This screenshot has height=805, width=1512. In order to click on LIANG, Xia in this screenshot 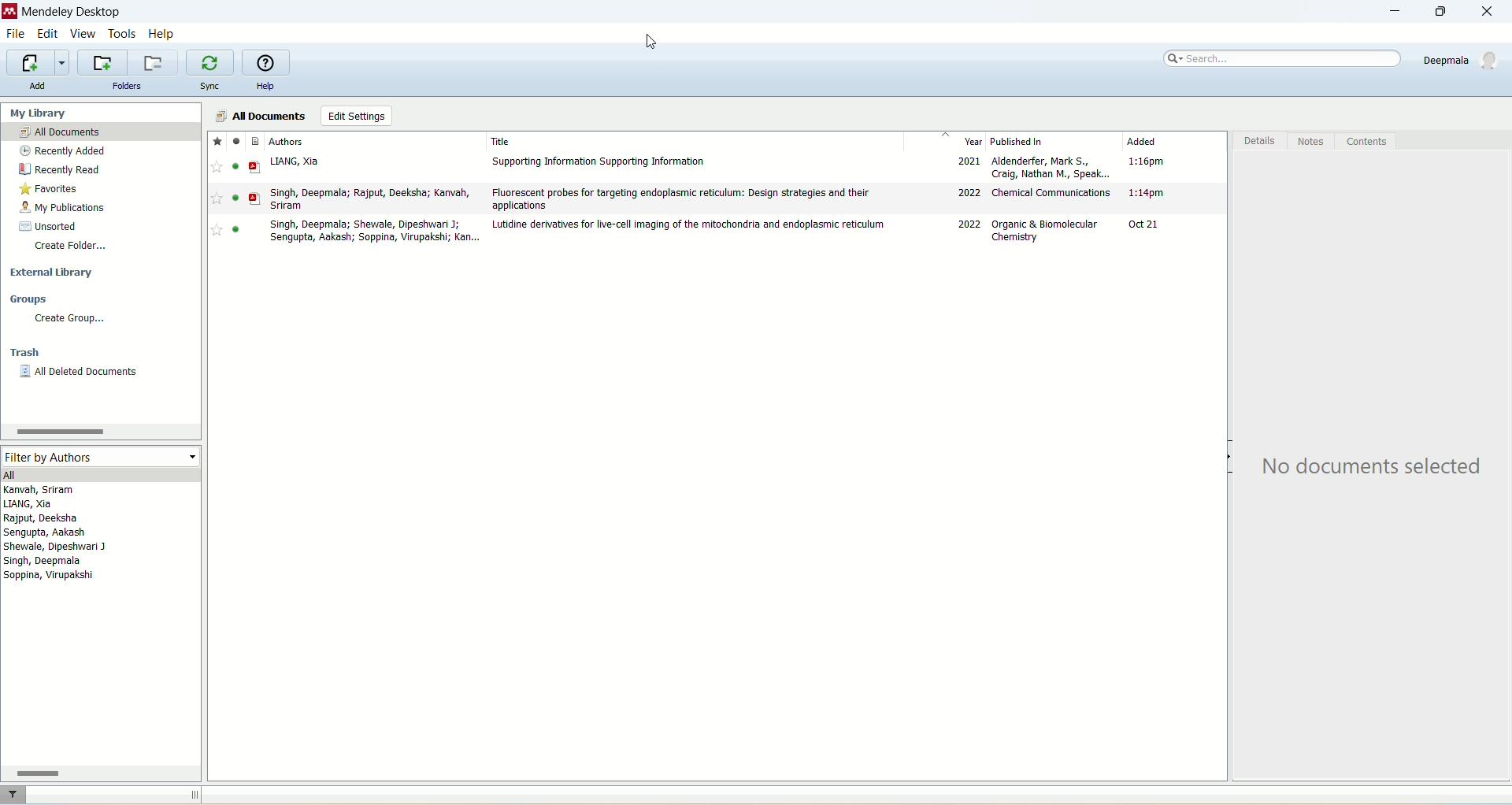, I will do `click(302, 161)`.